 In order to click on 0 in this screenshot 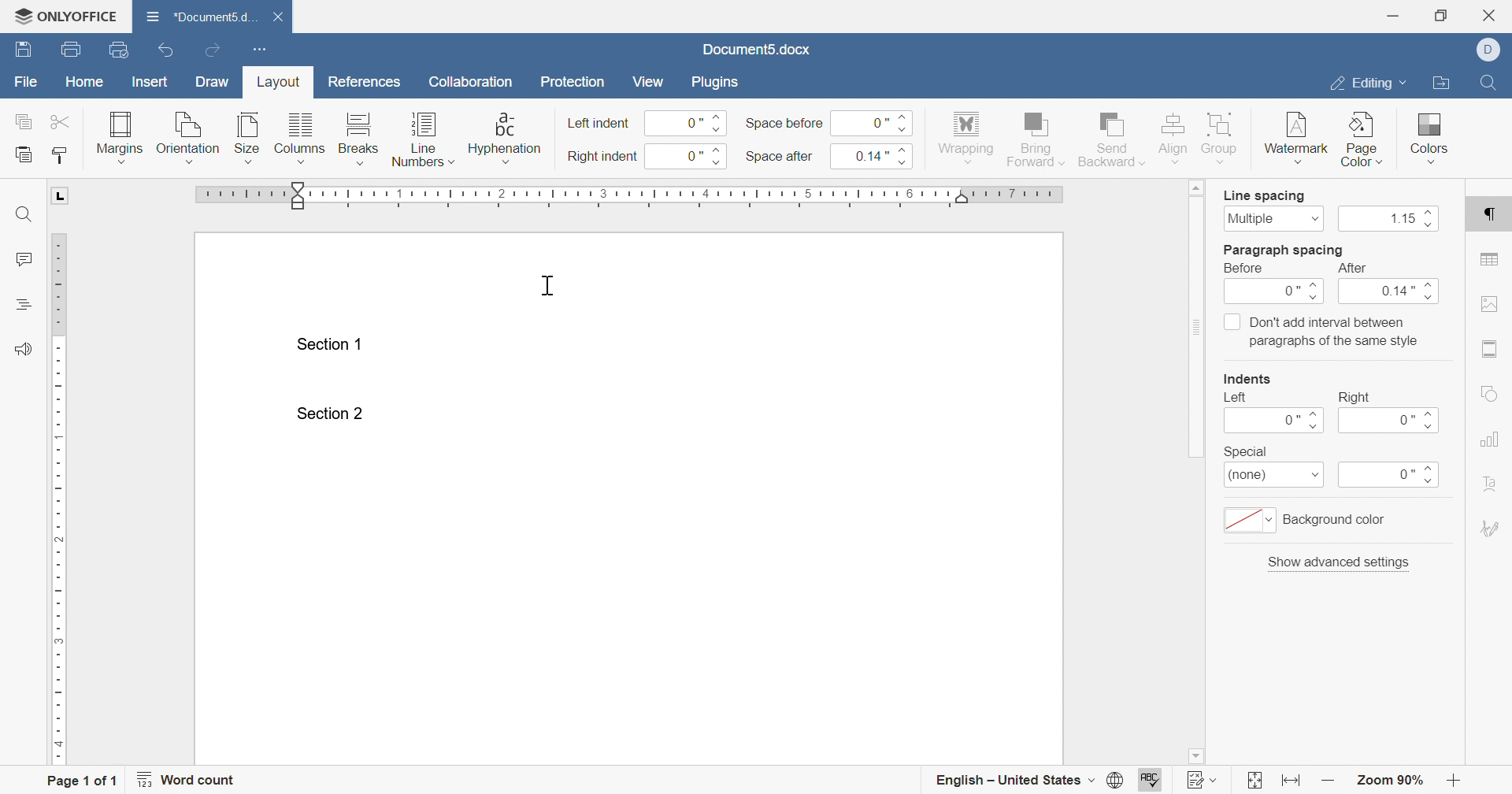, I will do `click(1390, 476)`.